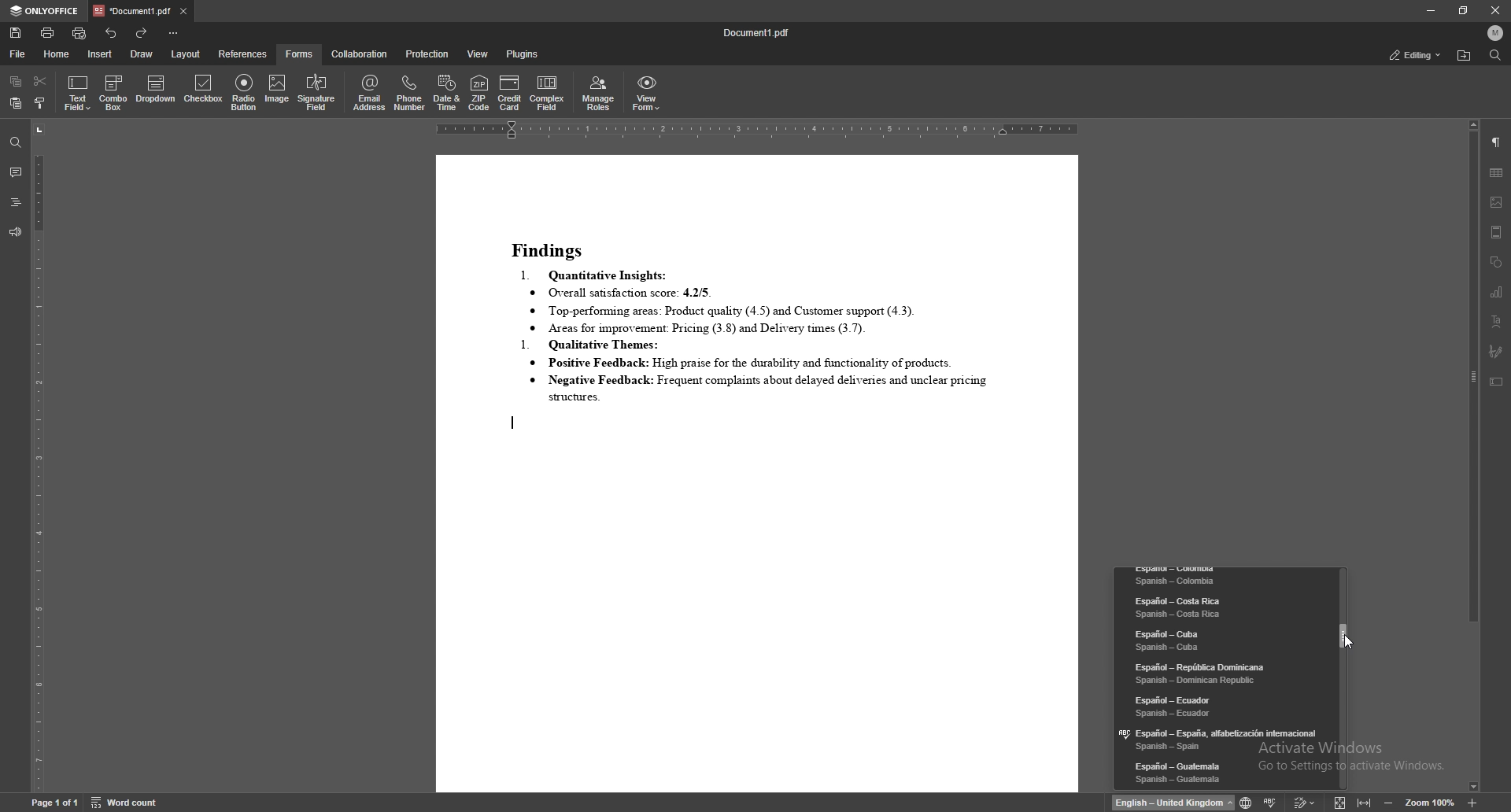 This screenshot has height=812, width=1511. What do you see at coordinates (114, 92) in the screenshot?
I see `combo box` at bounding box center [114, 92].